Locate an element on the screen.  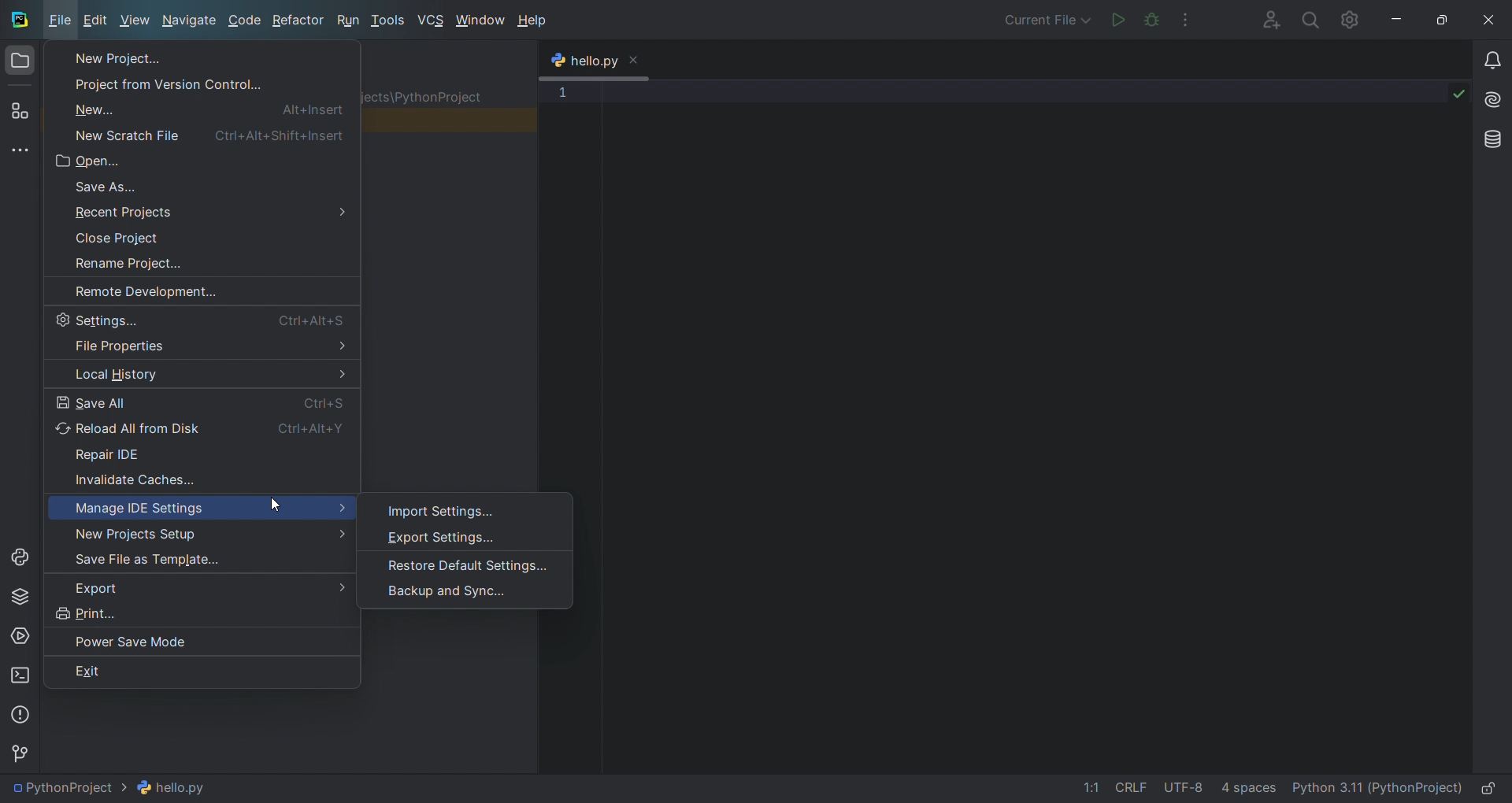
remote development is located at coordinates (199, 288).